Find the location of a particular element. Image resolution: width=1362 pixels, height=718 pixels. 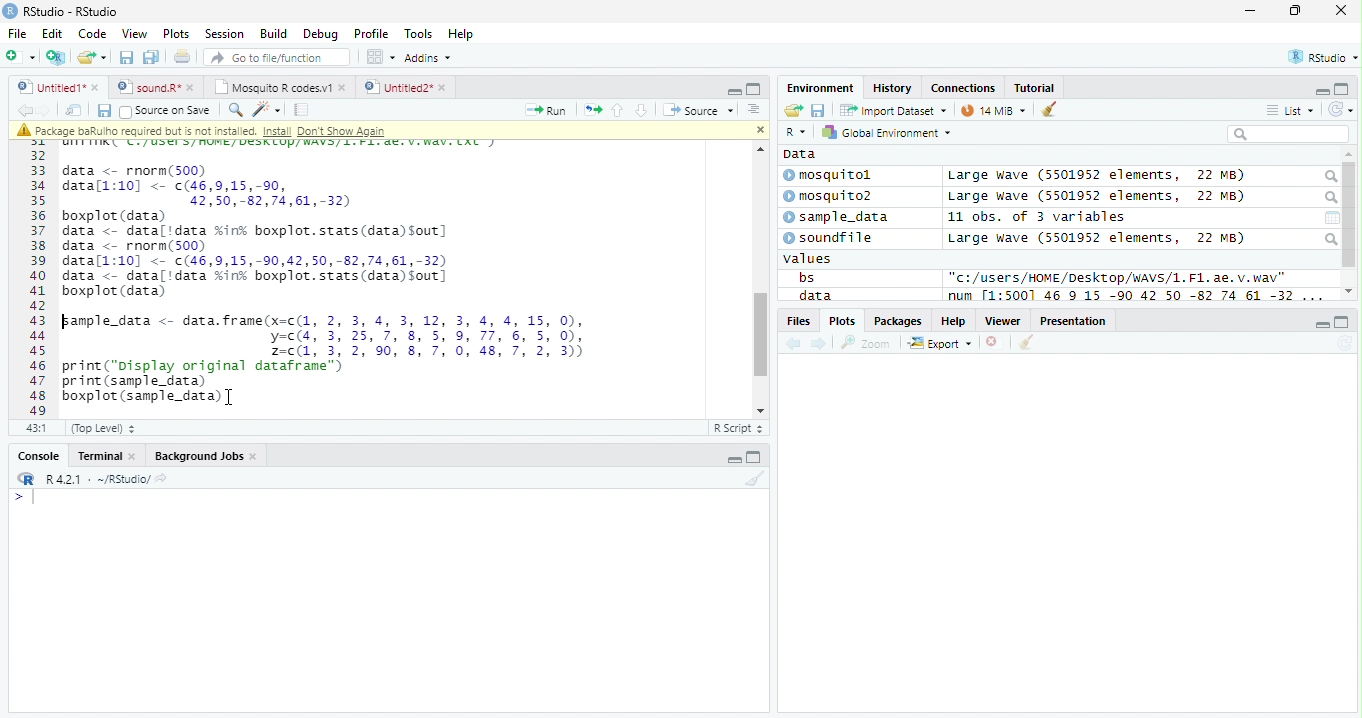

R 4.2.1 - ~/RStudio/ is located at coordinates (98, 481).